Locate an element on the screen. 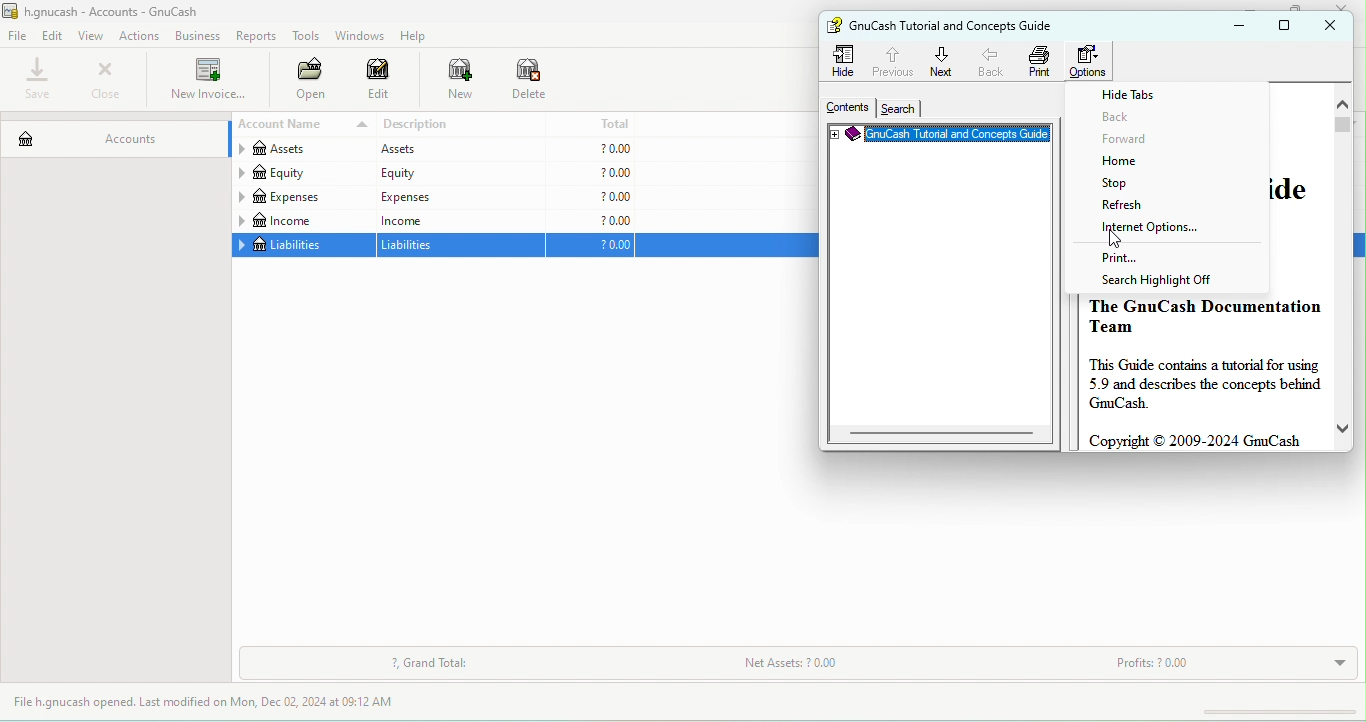 The image size is (1366, 722). save is located at coordinates (39, 80).